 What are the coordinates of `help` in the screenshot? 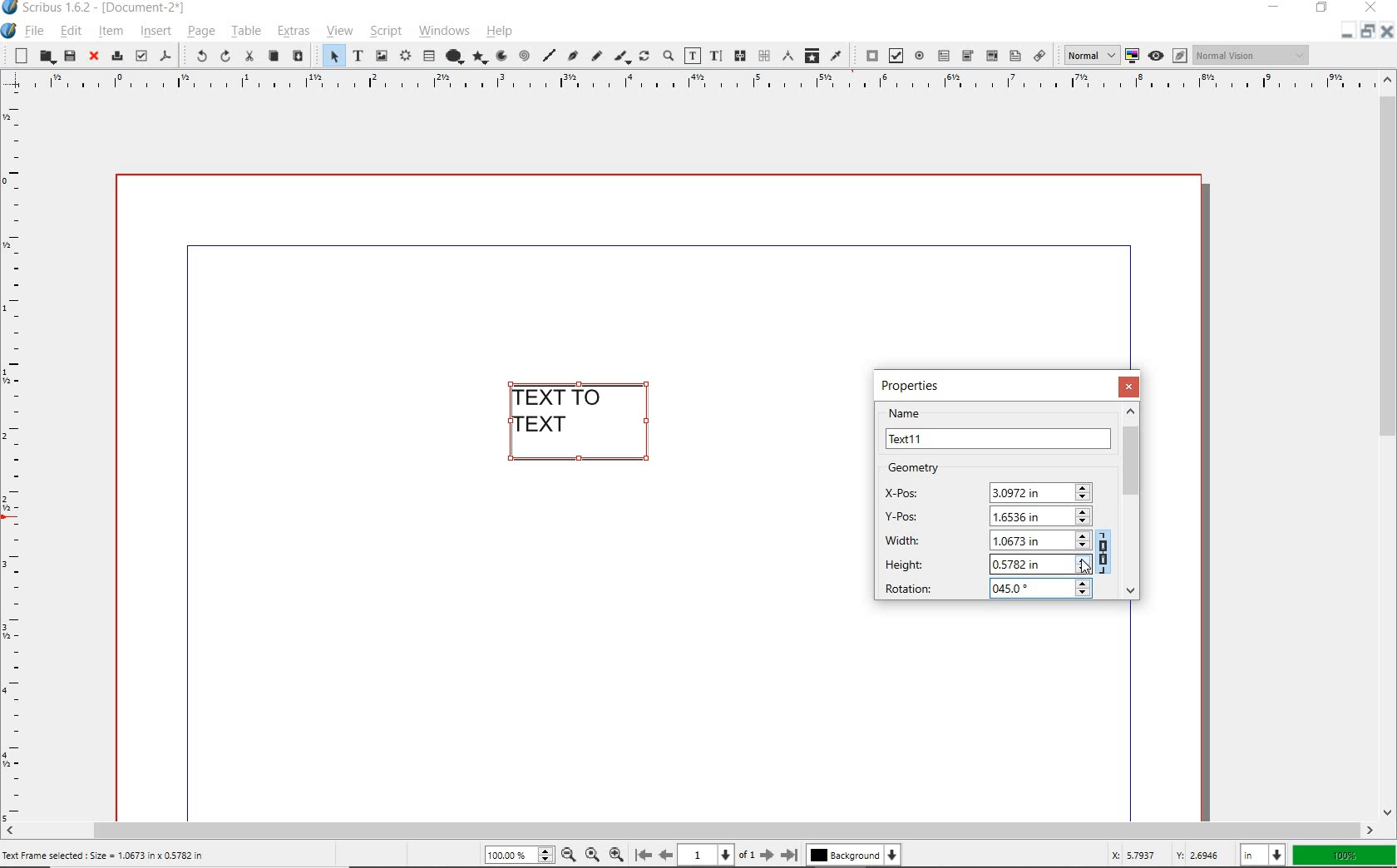 It's located at (499, 33).